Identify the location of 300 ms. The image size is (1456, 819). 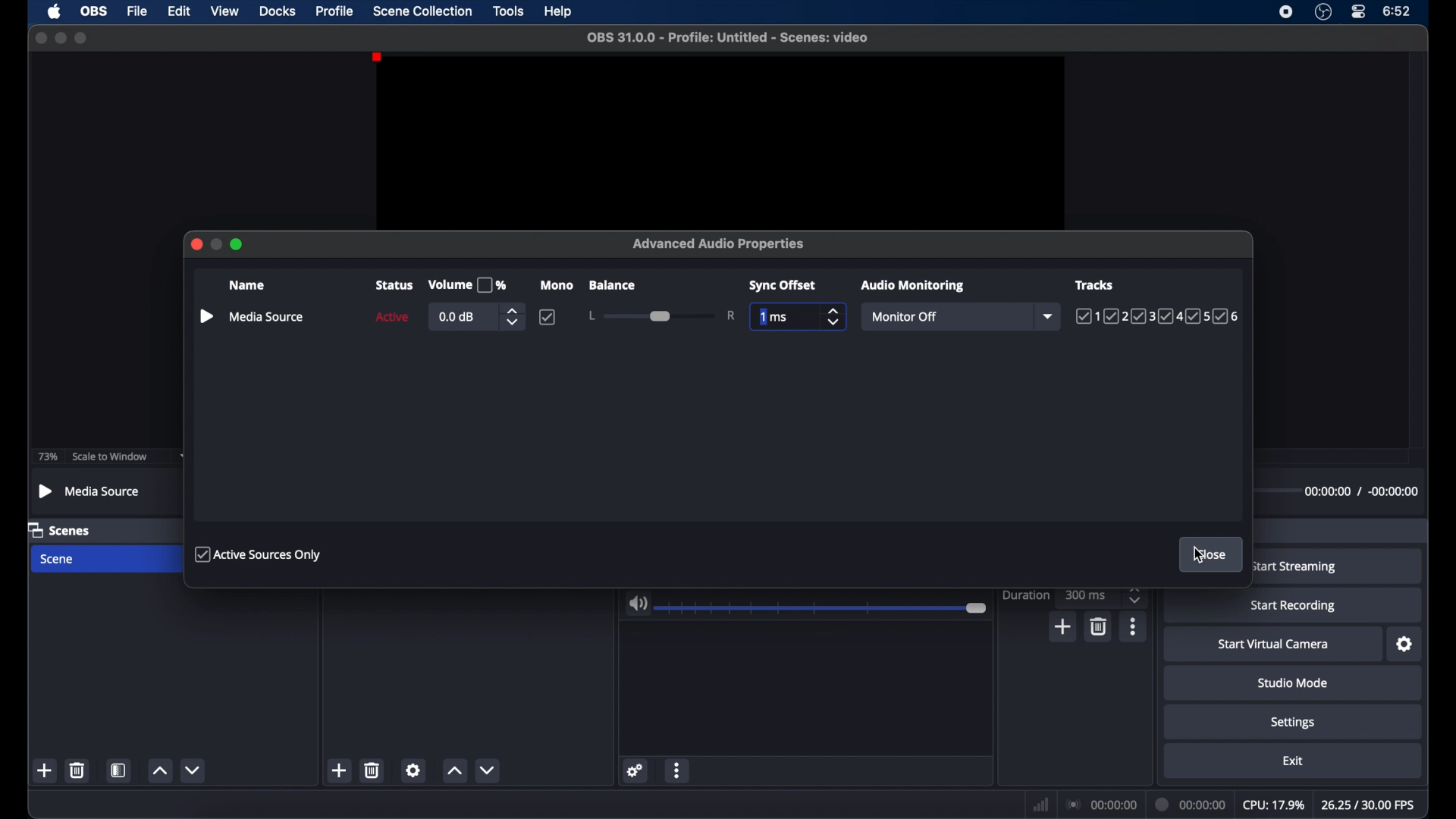
(1086, 594).